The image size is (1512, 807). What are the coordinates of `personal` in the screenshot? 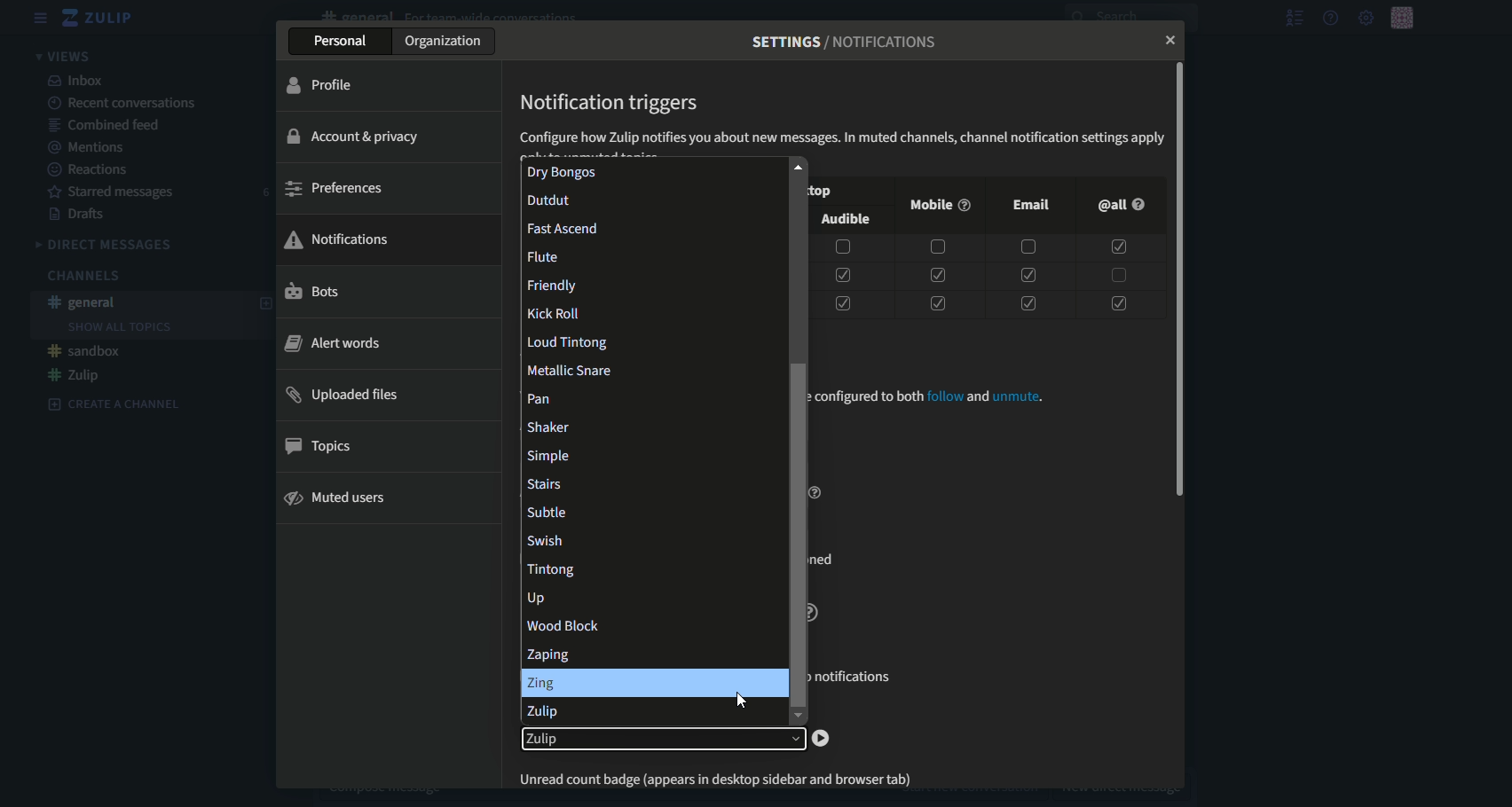 It's located at (341, 43).